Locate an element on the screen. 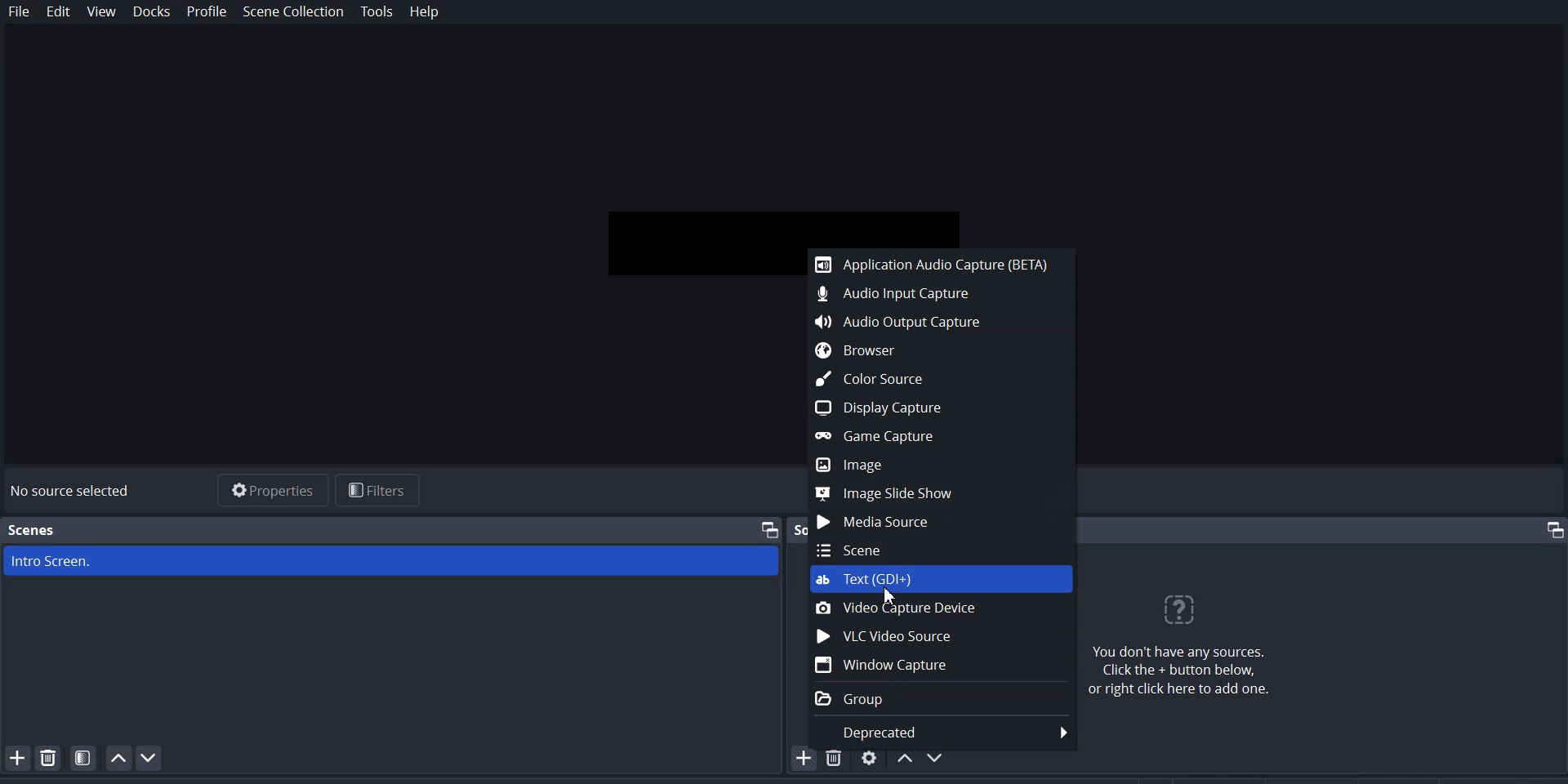  Move Scene Up is located at coordinates (118, 758).